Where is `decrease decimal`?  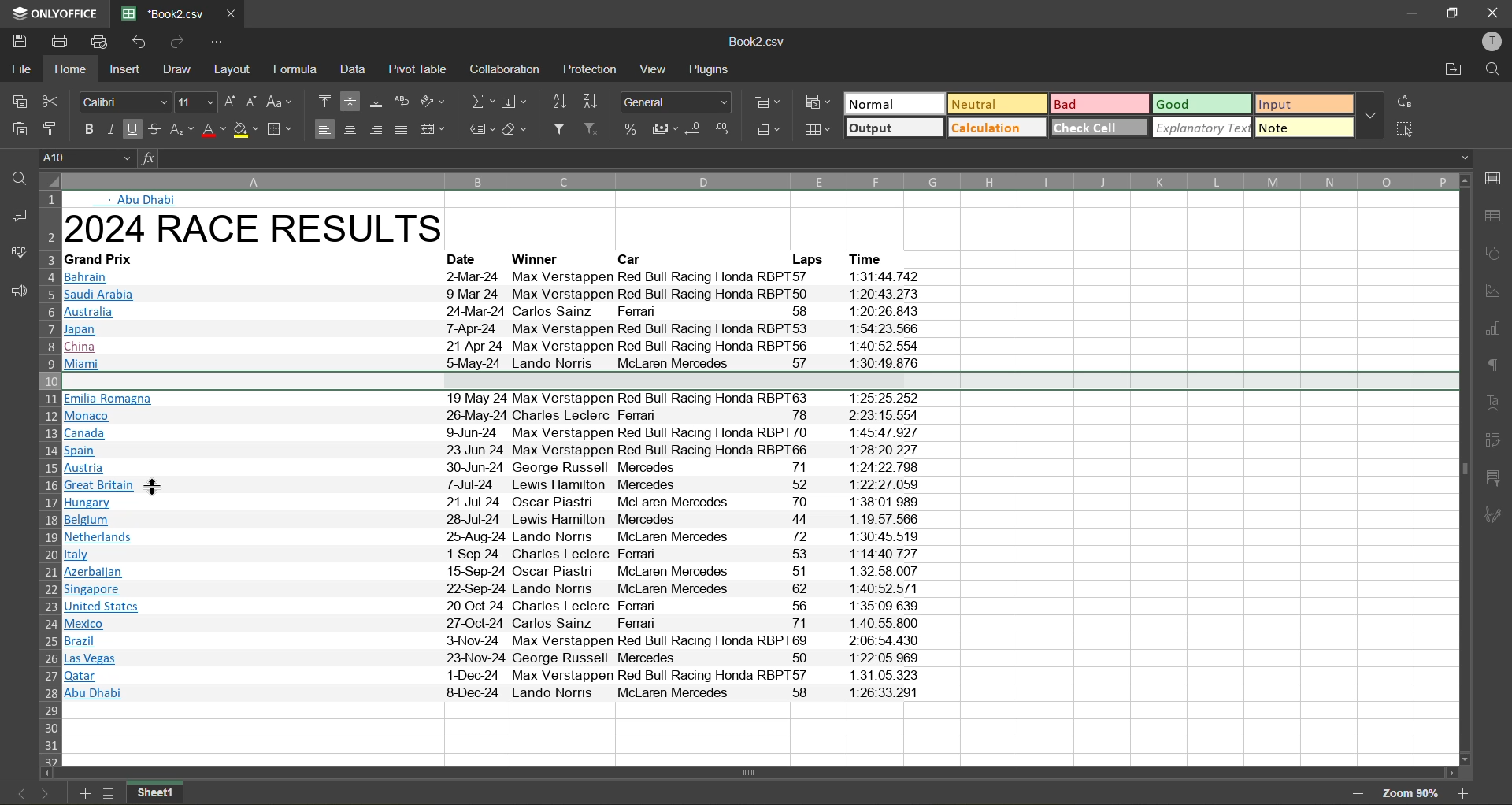
decrease decimal is located at coordinates (695, 131).